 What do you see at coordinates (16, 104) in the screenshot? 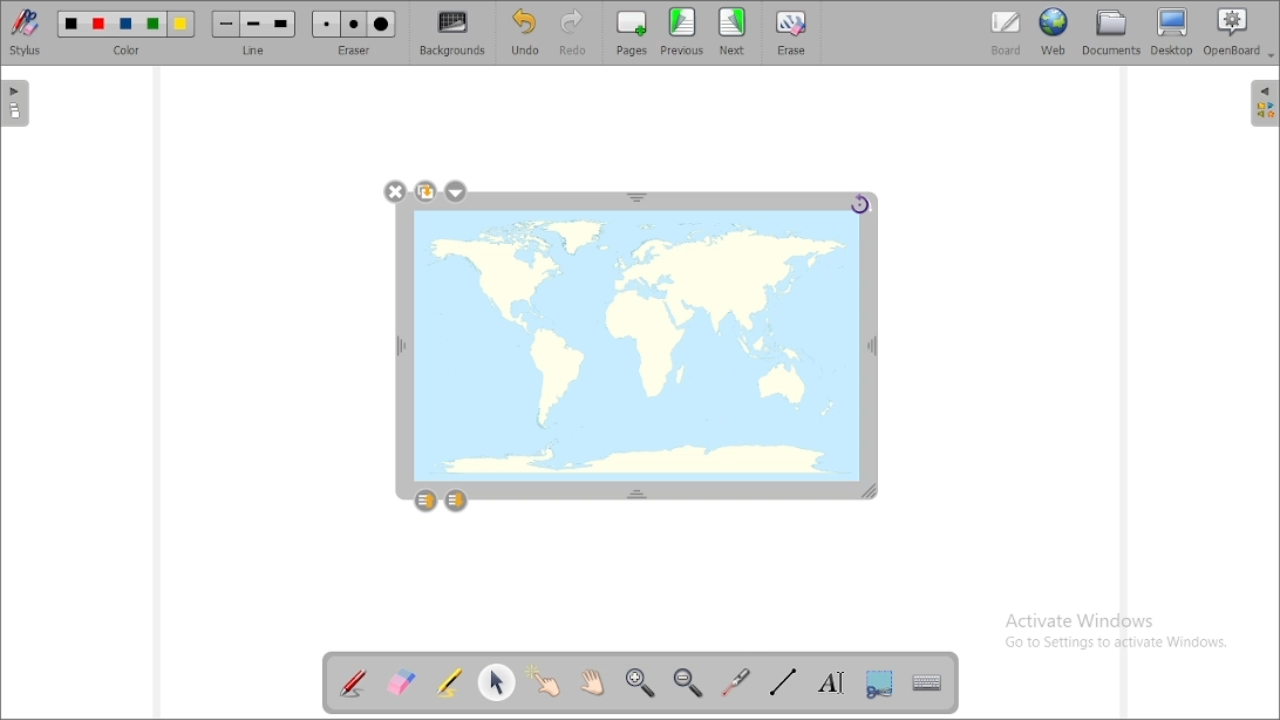
I see `pages pane` at bounding box center [16, 104].